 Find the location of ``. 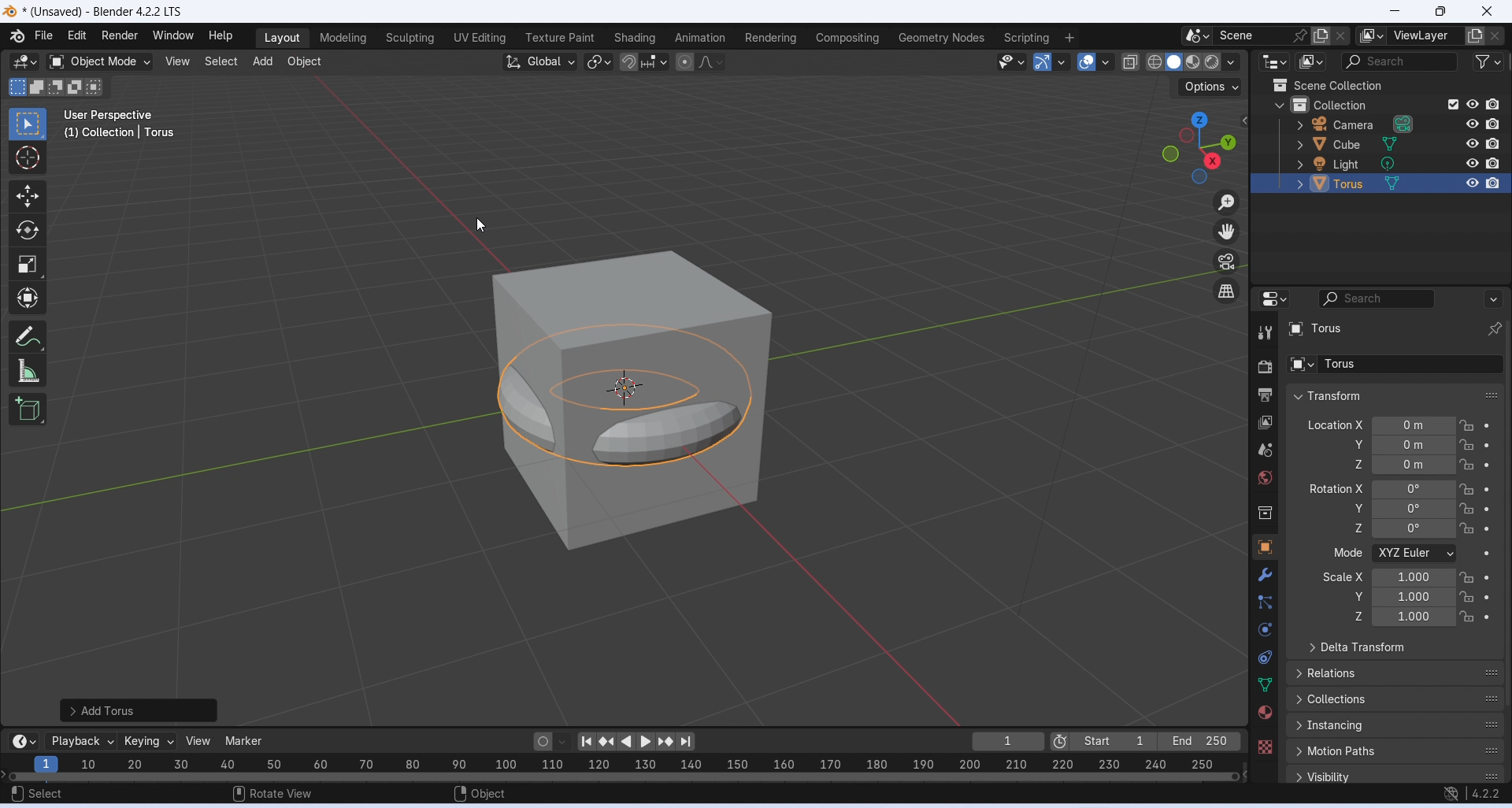

 is located at coordinates (44, 35).